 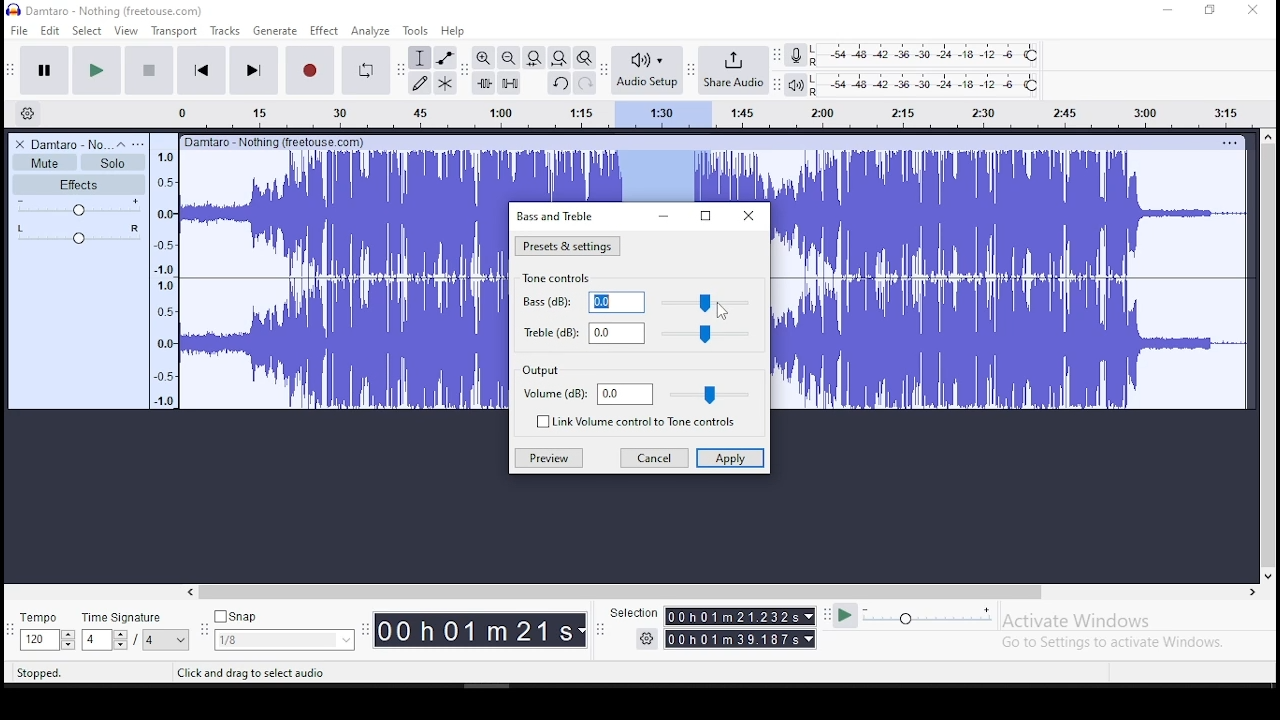 What do you see at coordinates (164, 279) in the screenshot?
I see `` at bounding box center [164, 279].